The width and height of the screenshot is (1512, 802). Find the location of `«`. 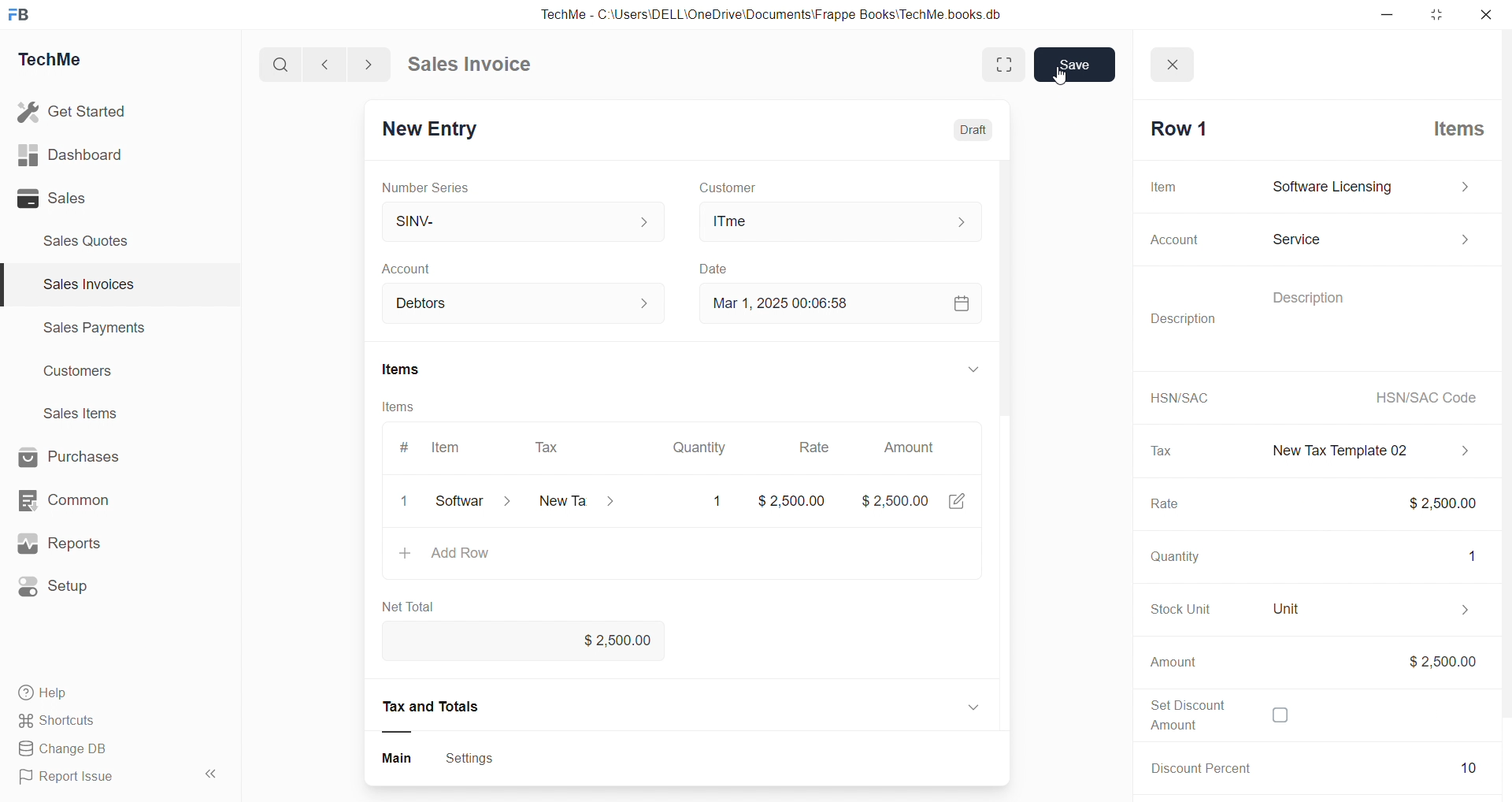

« is located at coordinates (212, 771).